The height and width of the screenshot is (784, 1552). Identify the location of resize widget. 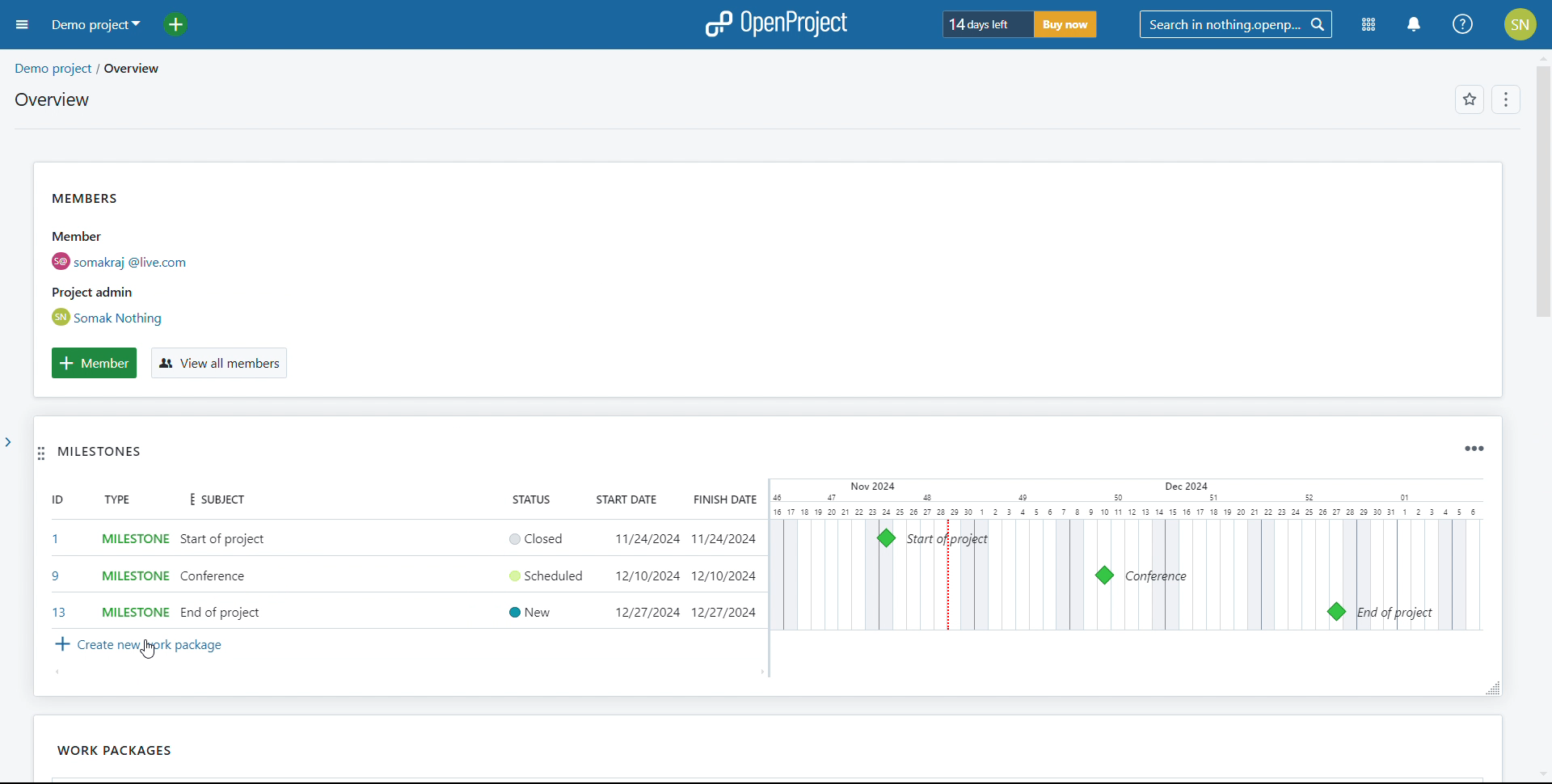
(1488, 687).